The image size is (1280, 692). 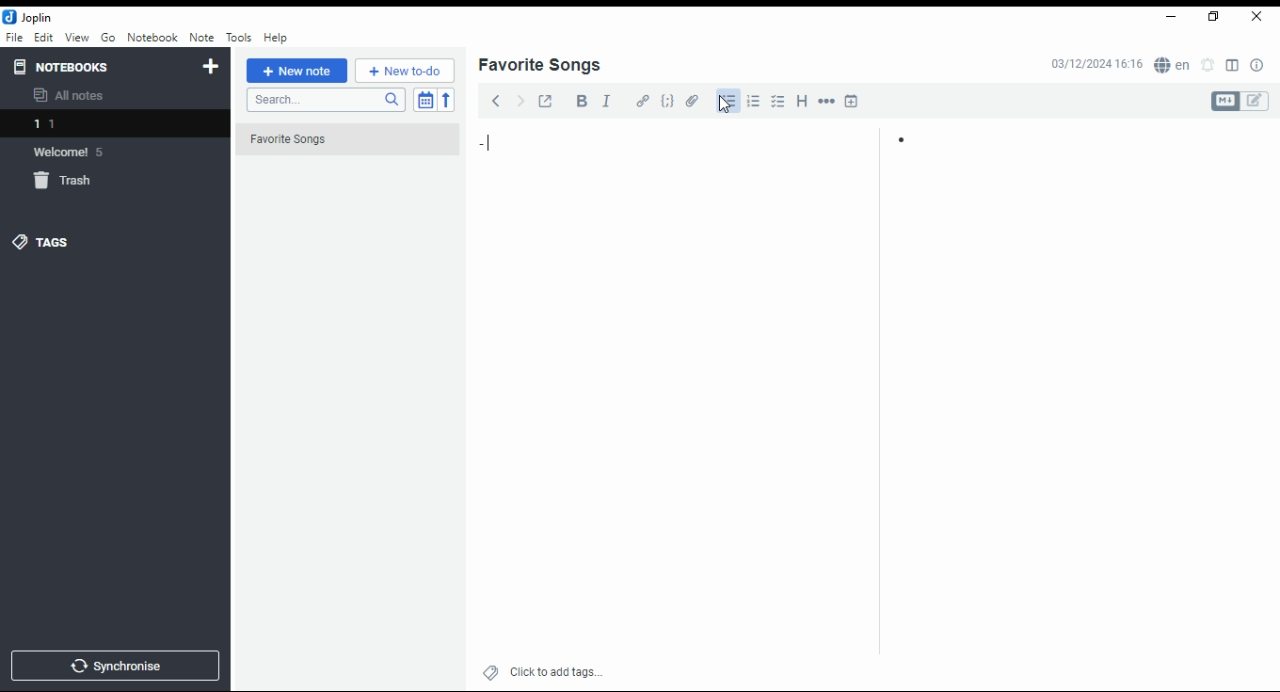 What do you see at coordinates (776, 103) in the screenshot?
I see `checkbox` at bounding box center [776, 103].